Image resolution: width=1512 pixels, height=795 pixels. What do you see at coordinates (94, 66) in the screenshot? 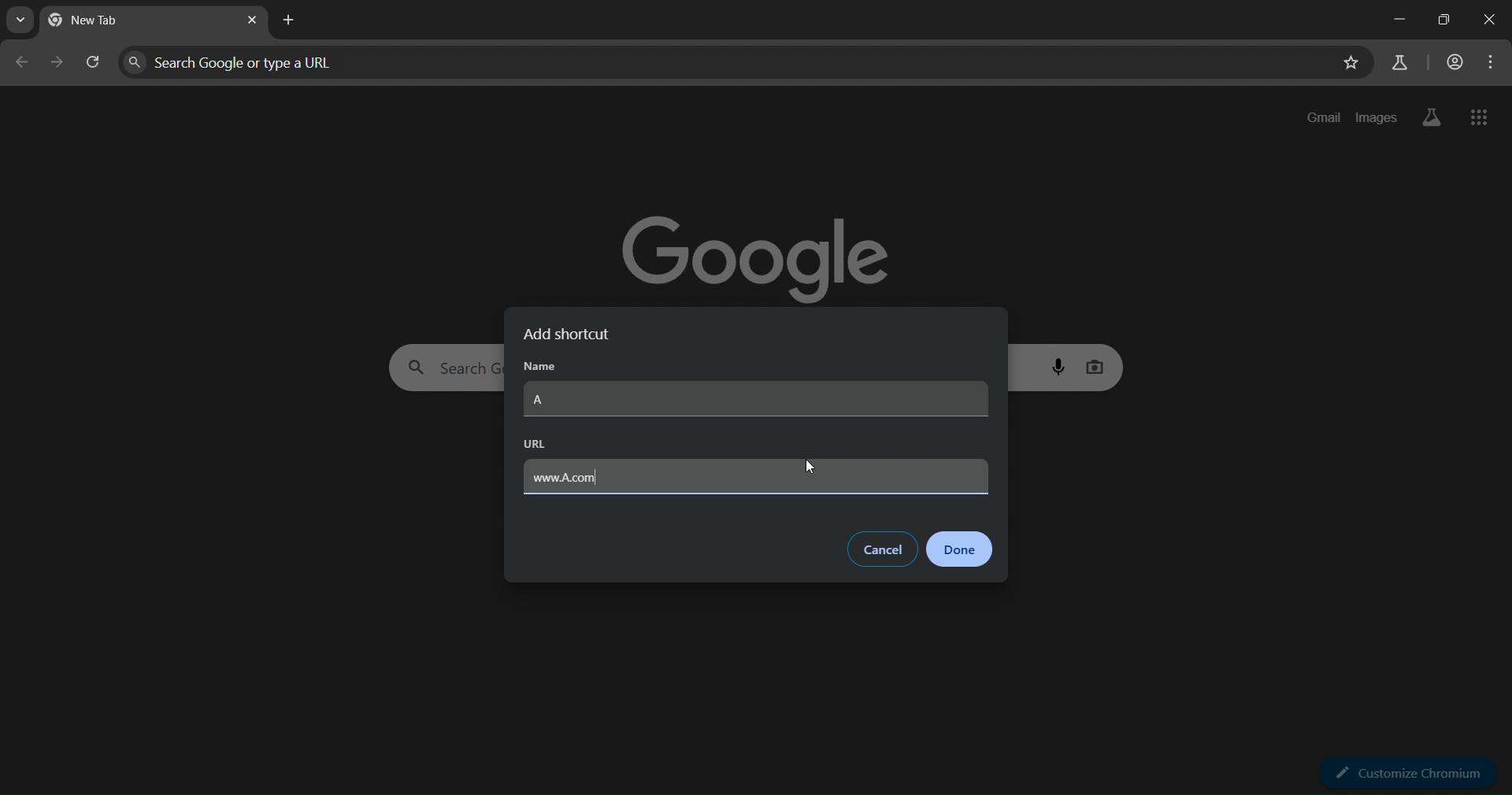
I see `reload page` at bounding box center [94, 66].